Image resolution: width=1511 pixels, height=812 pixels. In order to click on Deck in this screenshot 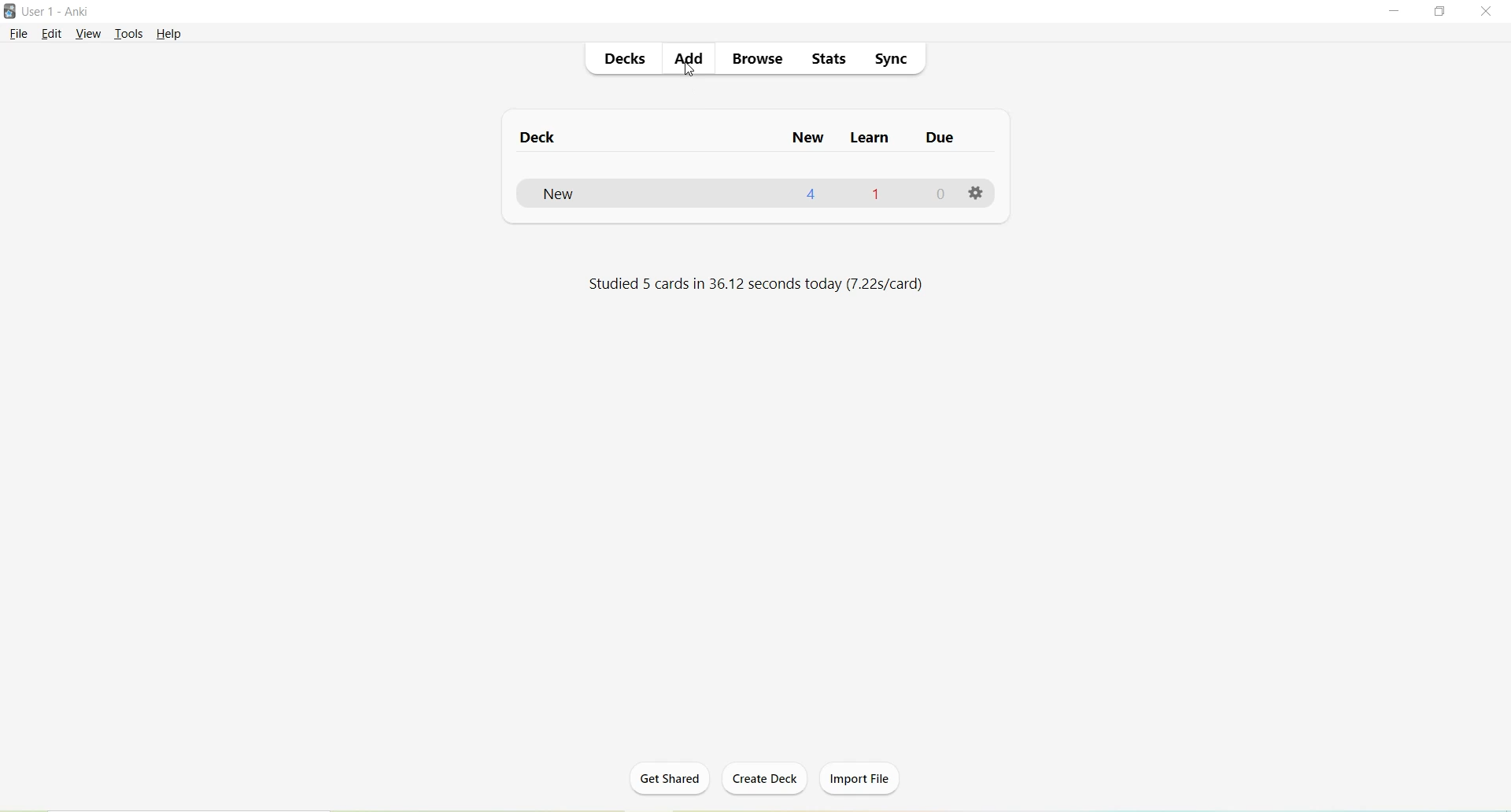, I will do `click(545, 138)`.